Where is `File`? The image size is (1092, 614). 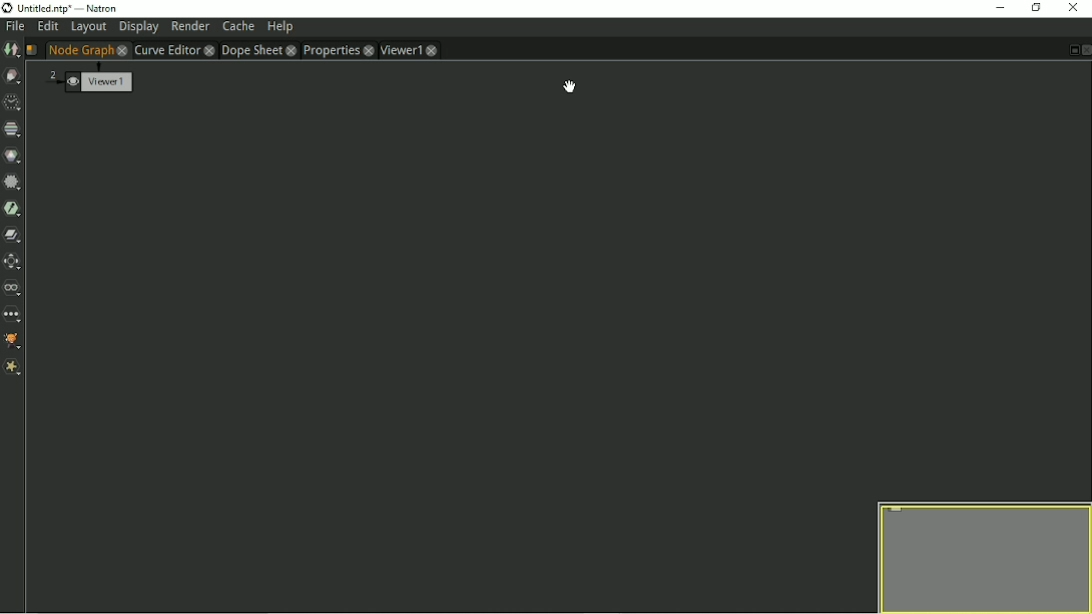
File is located at coordinates (14, 28).